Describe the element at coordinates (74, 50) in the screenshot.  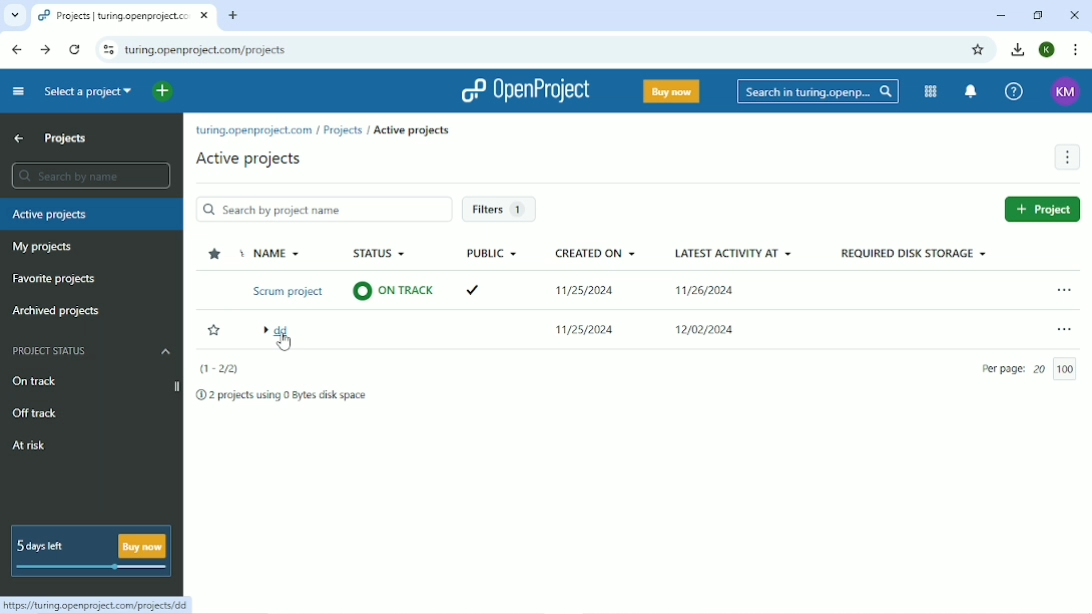
I see `Reload this page` at that location.